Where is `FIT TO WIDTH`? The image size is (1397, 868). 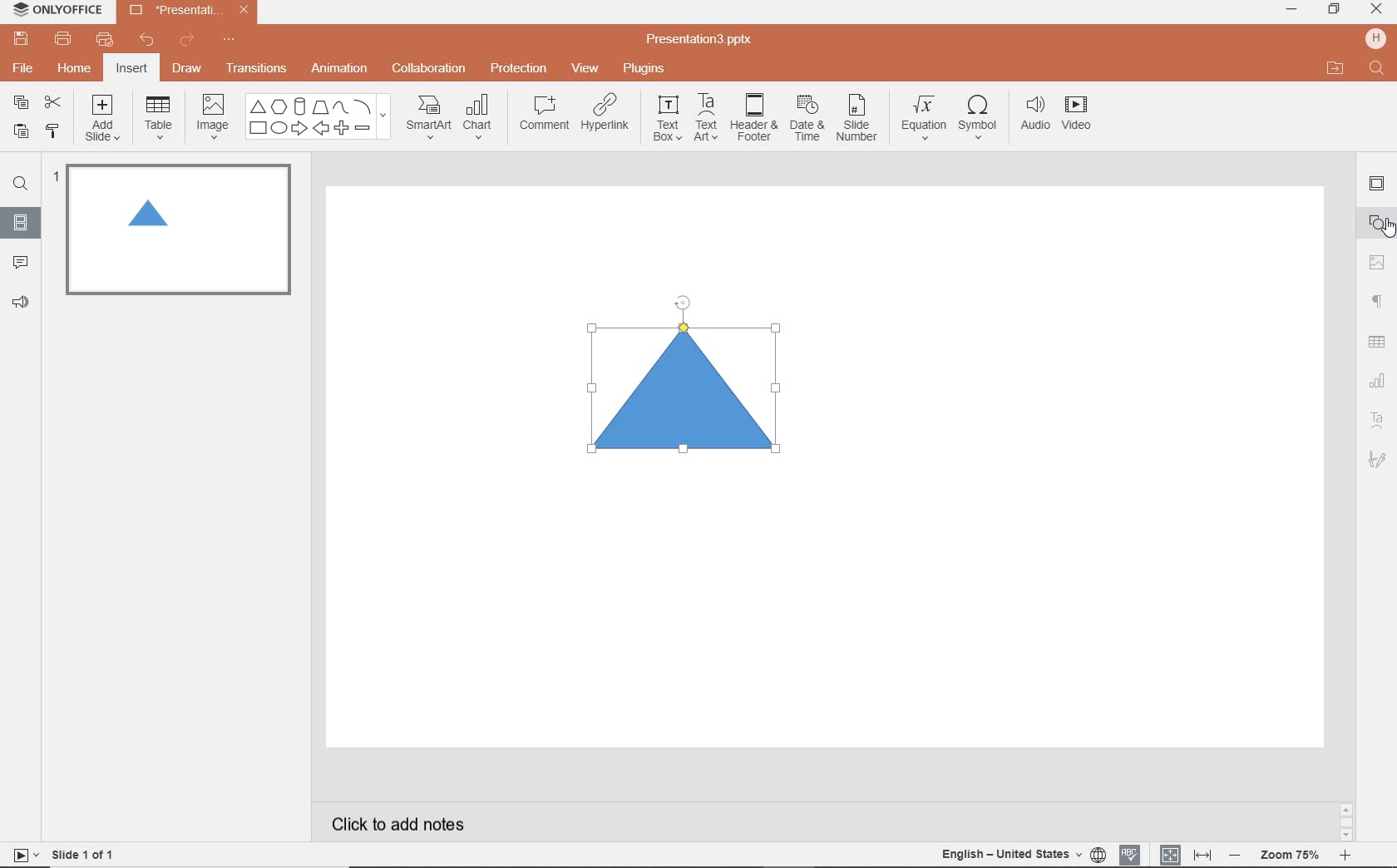
FIT TO WIDTH is located at coordinates (1202, 856).